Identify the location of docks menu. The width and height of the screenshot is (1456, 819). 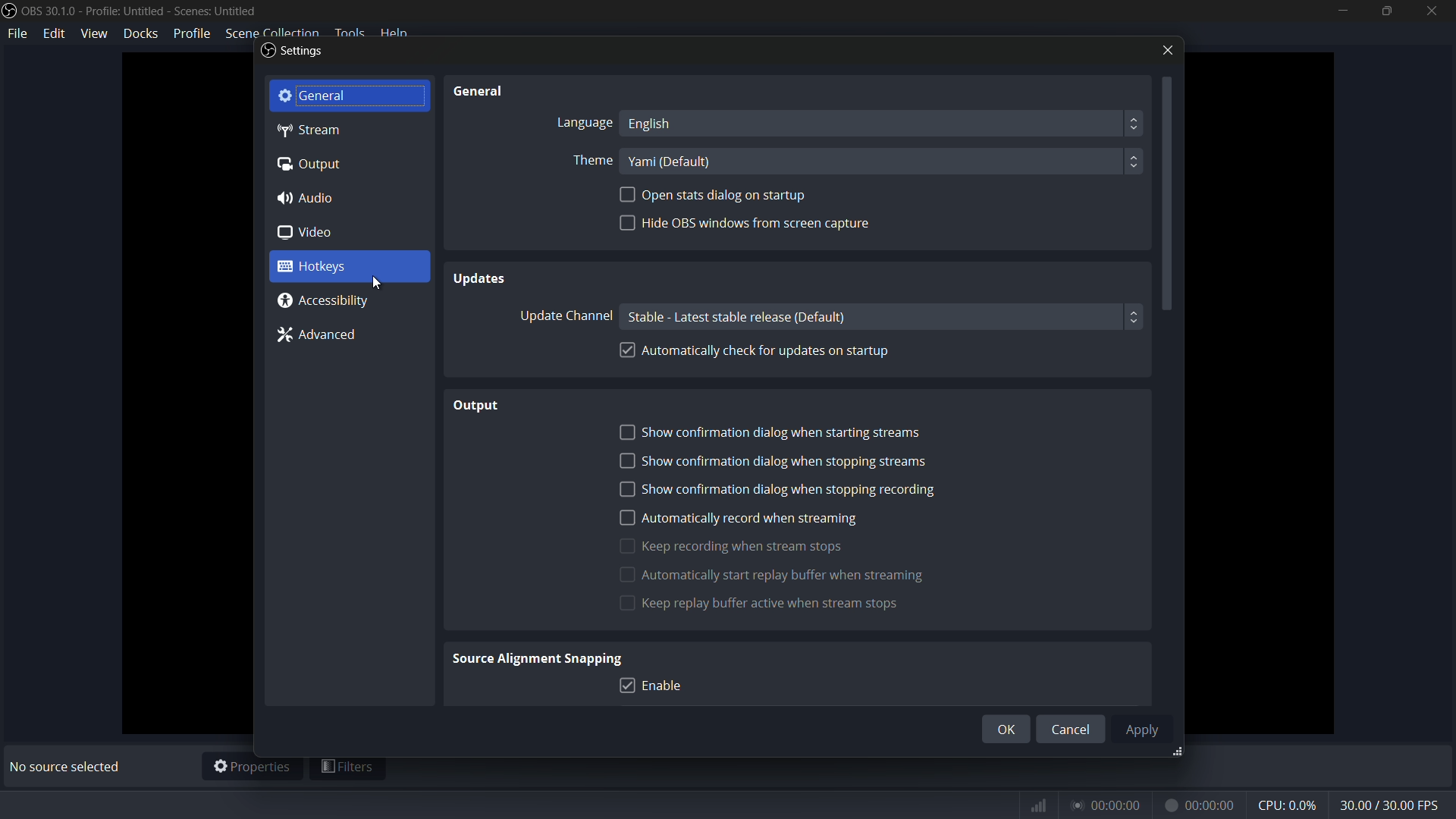
(142, 33).